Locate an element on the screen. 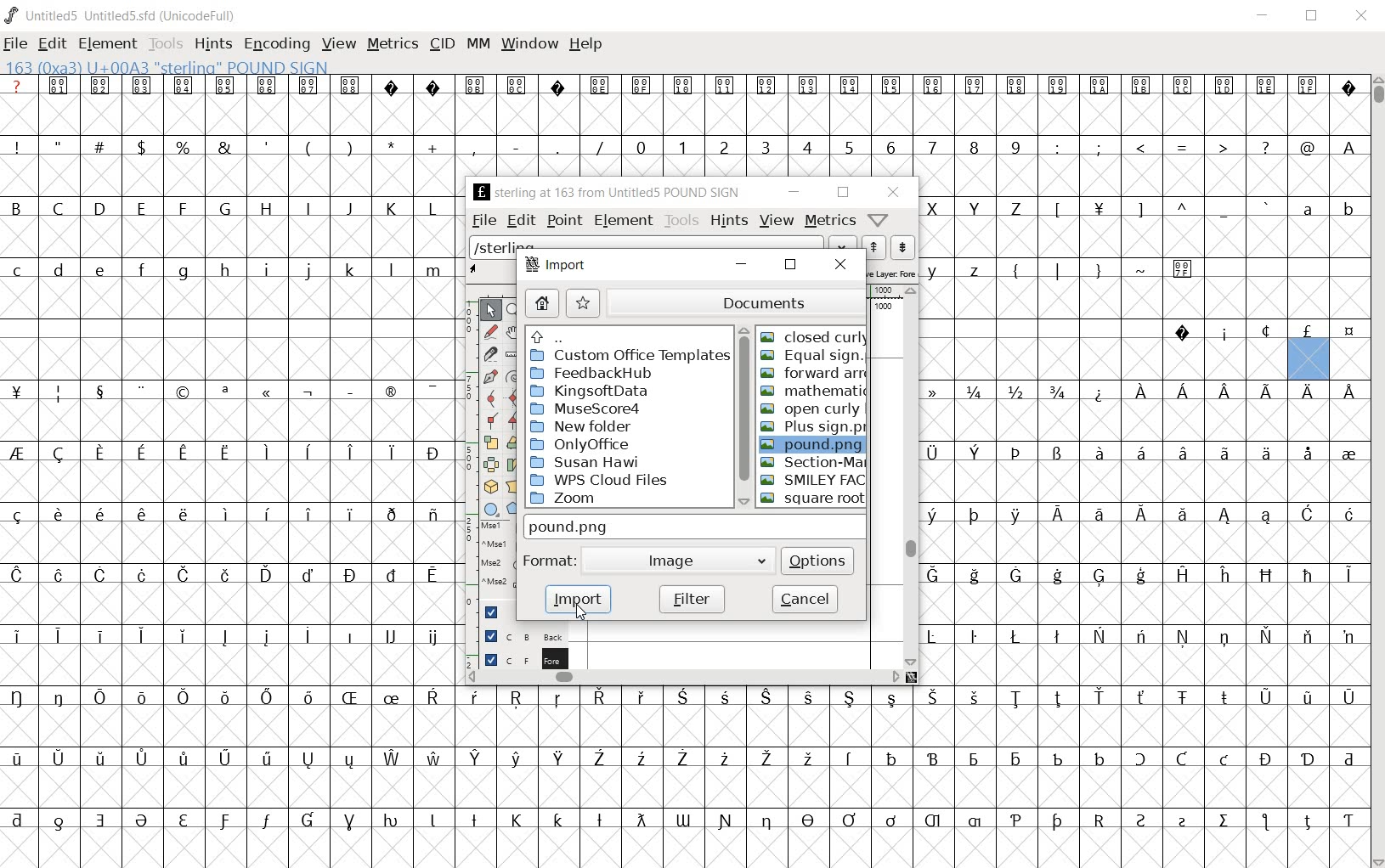  Symbol is located at coordinates (100, 575).